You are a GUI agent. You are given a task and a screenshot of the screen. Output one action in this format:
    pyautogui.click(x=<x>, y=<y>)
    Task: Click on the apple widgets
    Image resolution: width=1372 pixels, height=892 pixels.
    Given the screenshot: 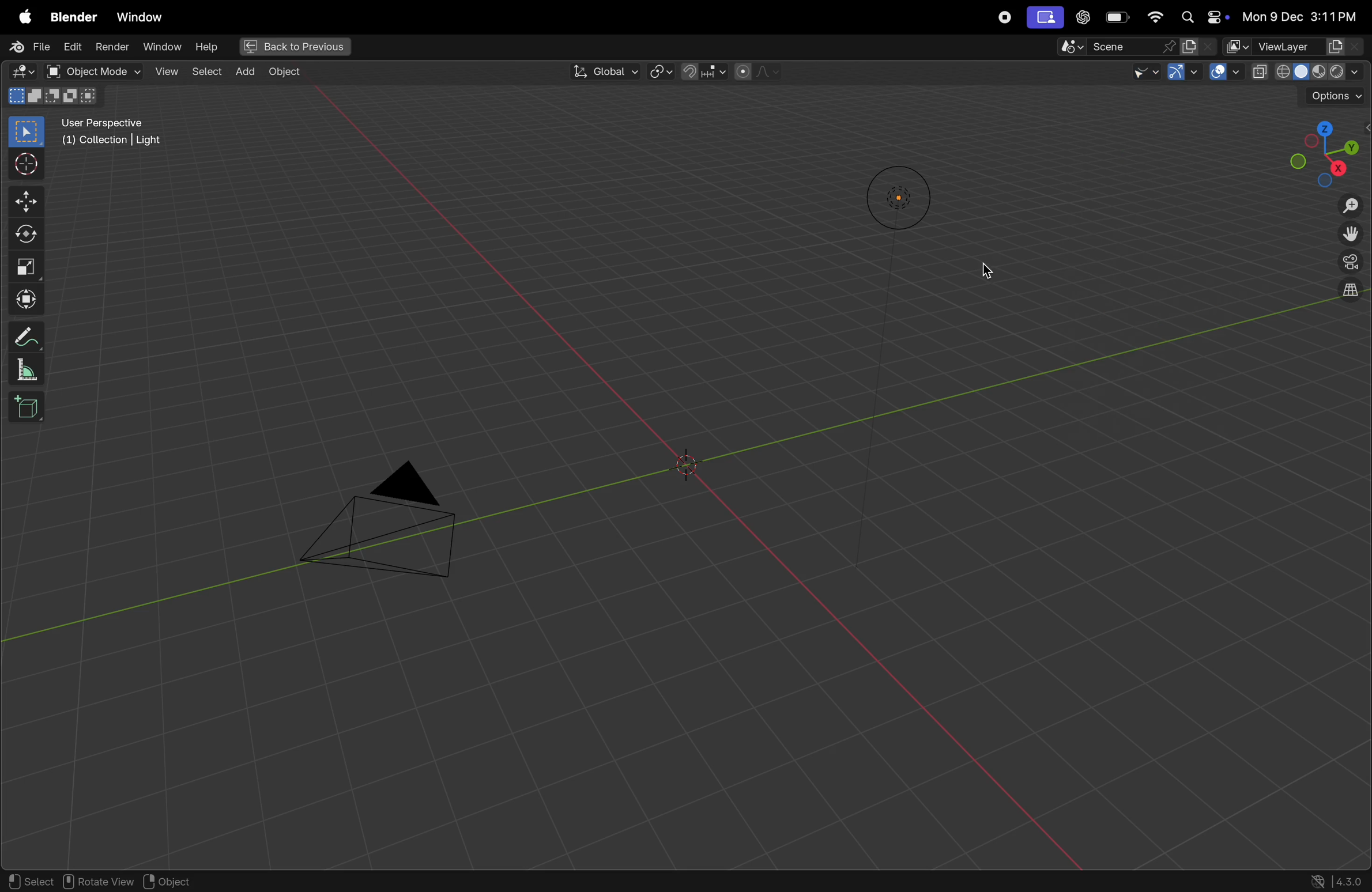 What is the action you would take?
    pyautogui.click(x=1201, y=17)
    